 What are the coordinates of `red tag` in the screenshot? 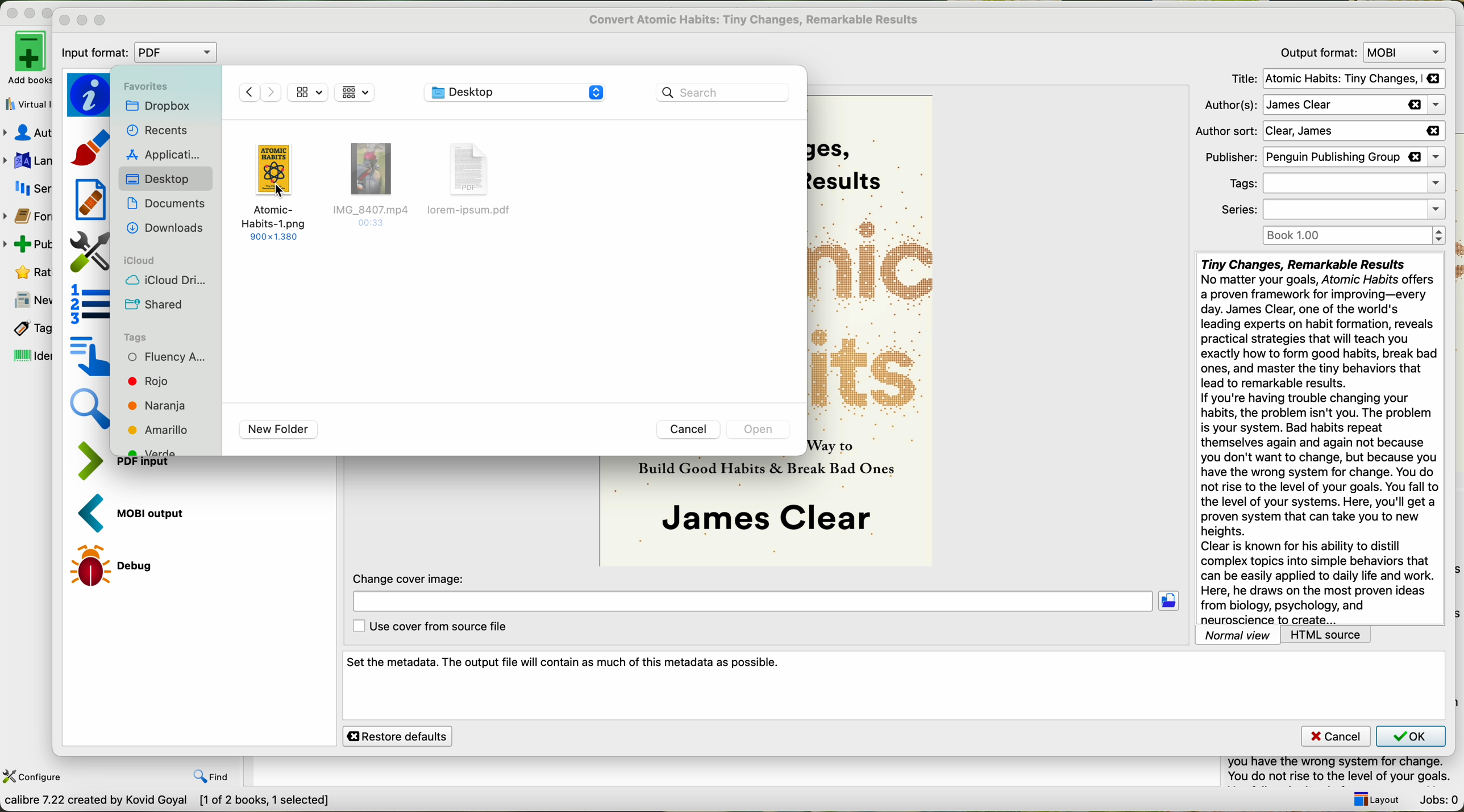 It's located at (148, 380).